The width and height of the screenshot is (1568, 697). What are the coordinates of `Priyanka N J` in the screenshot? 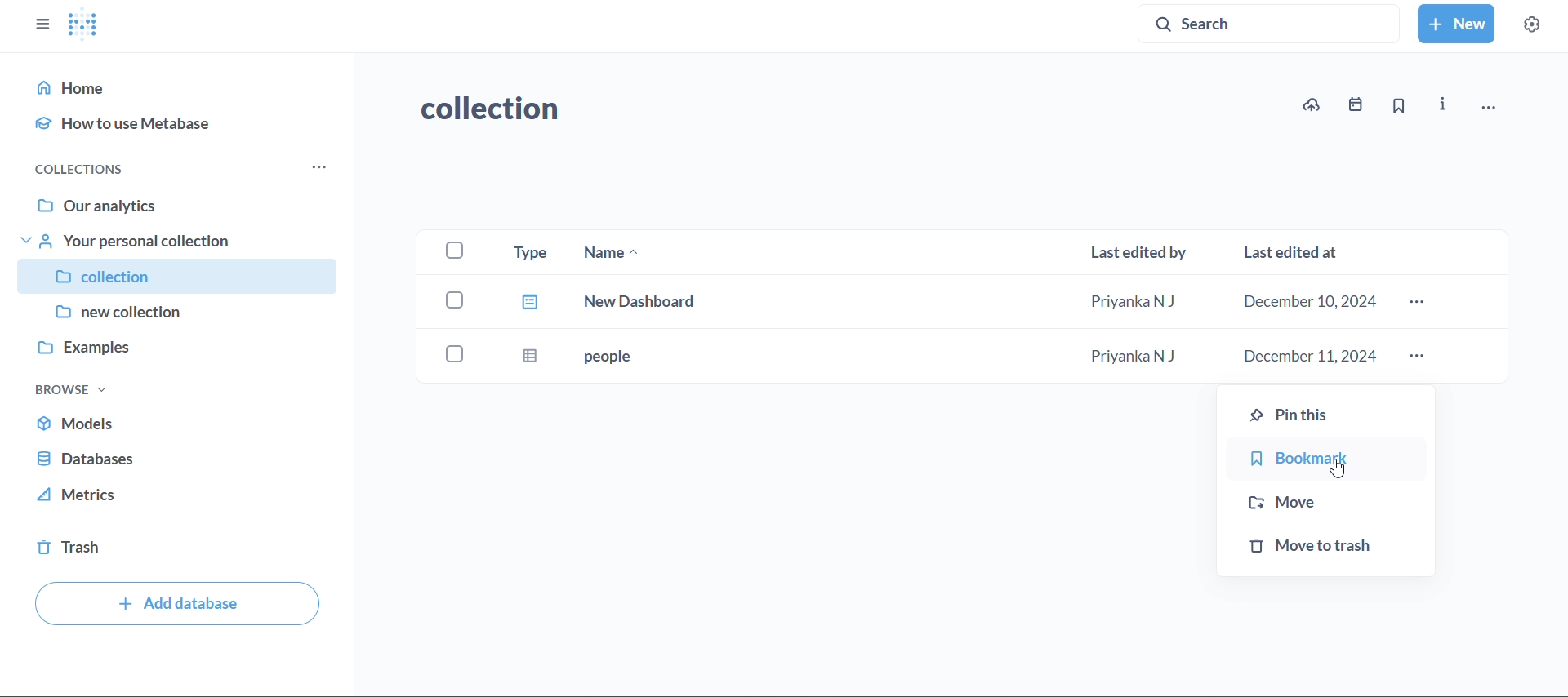 It's located at (1137, 357).